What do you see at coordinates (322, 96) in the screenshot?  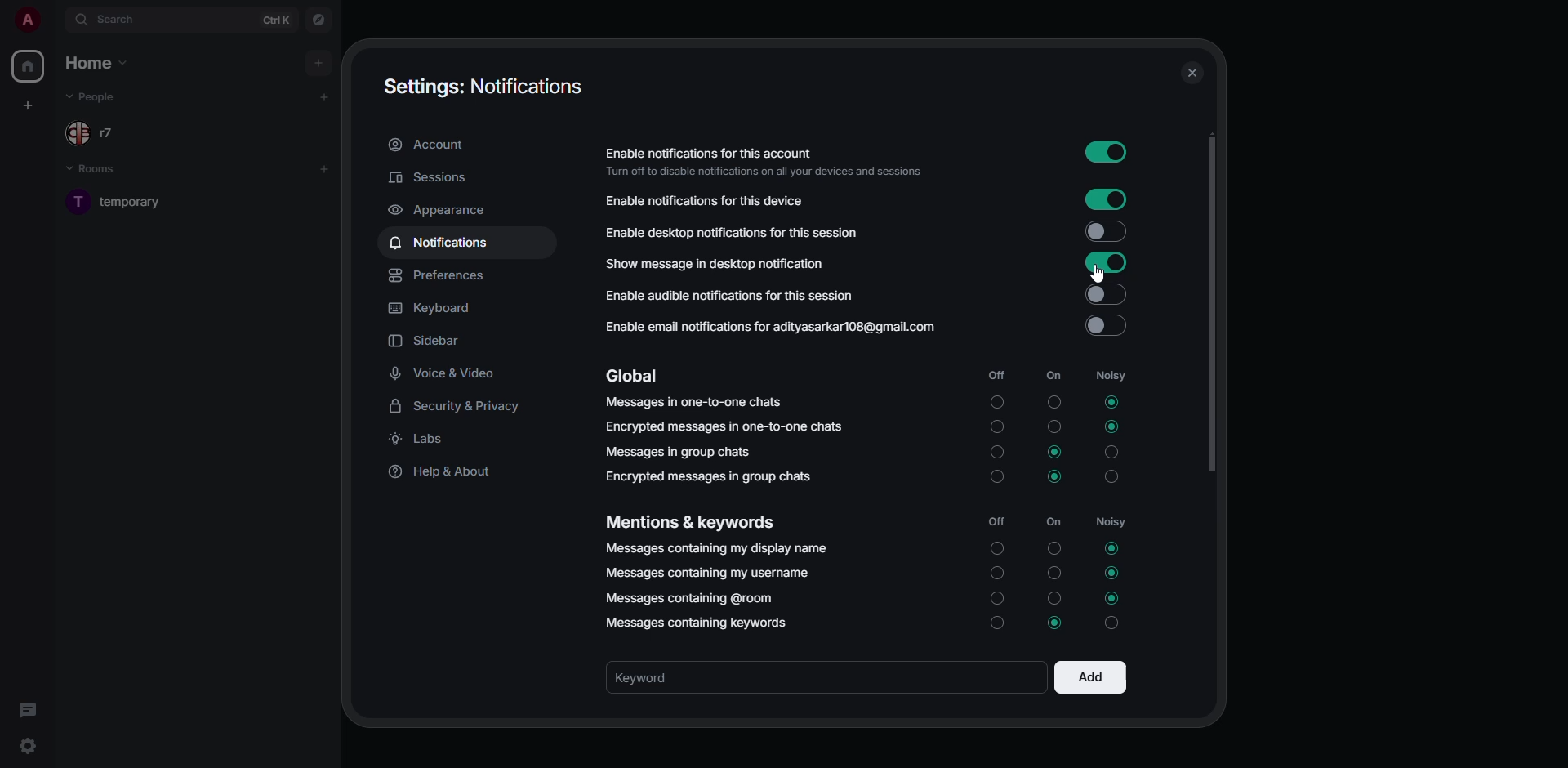 I see `add` at bounding box center [322, 96].